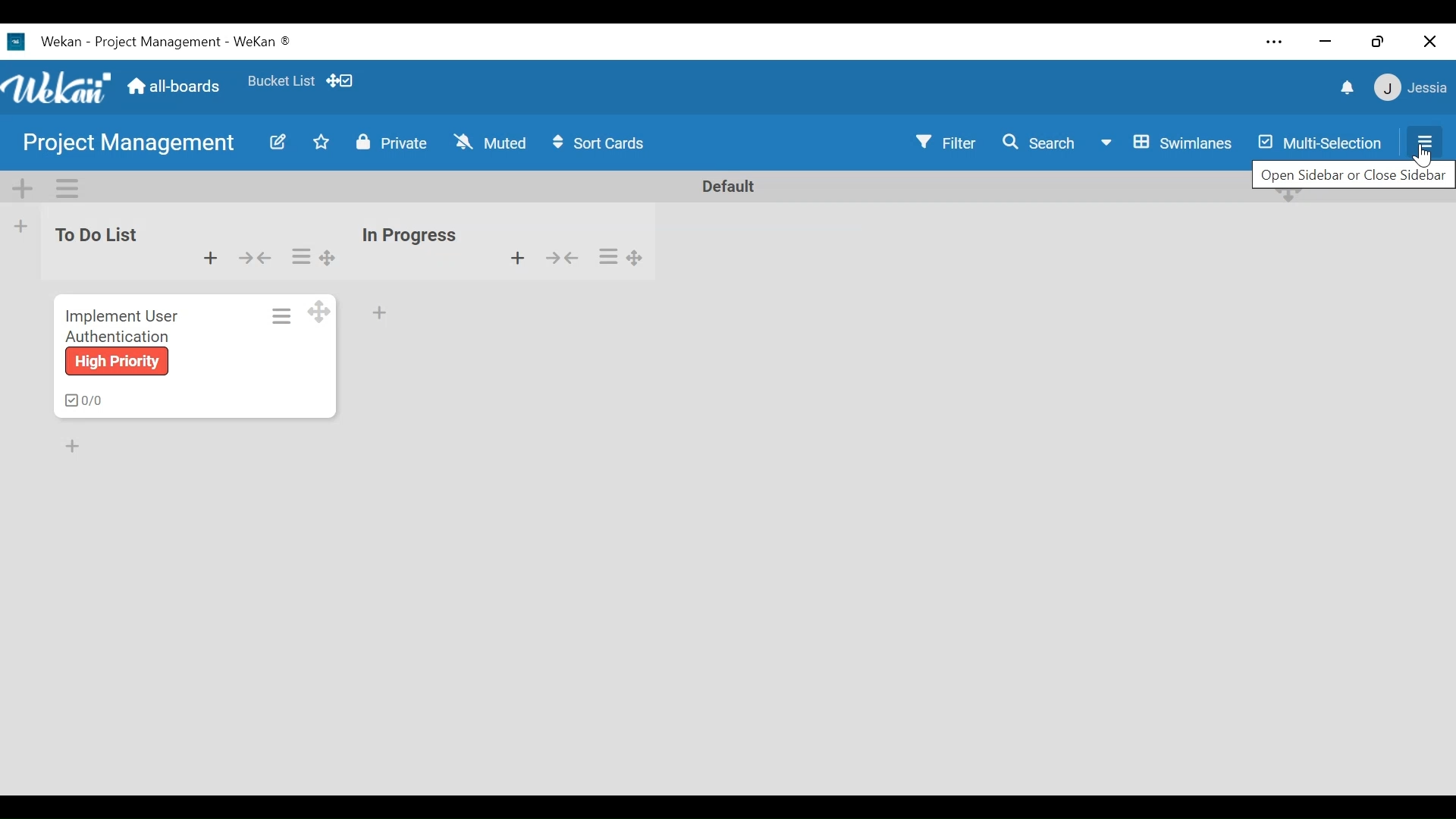 The image size is (1456, 819). I want to click on Swimlane Actions, so click(63, 188).